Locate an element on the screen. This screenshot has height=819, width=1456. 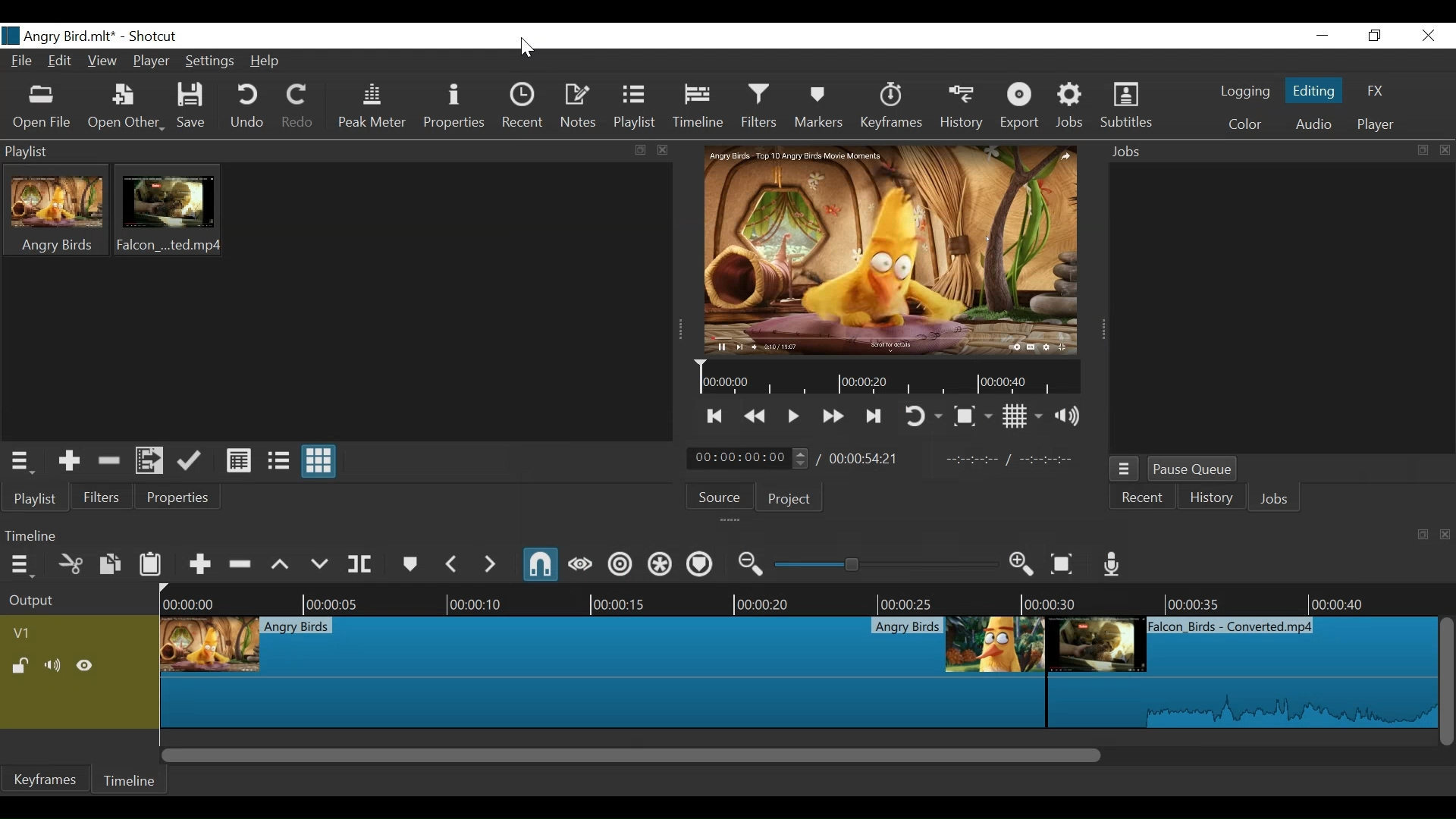
Jobs Panel is located at coordinates (1284, 311).